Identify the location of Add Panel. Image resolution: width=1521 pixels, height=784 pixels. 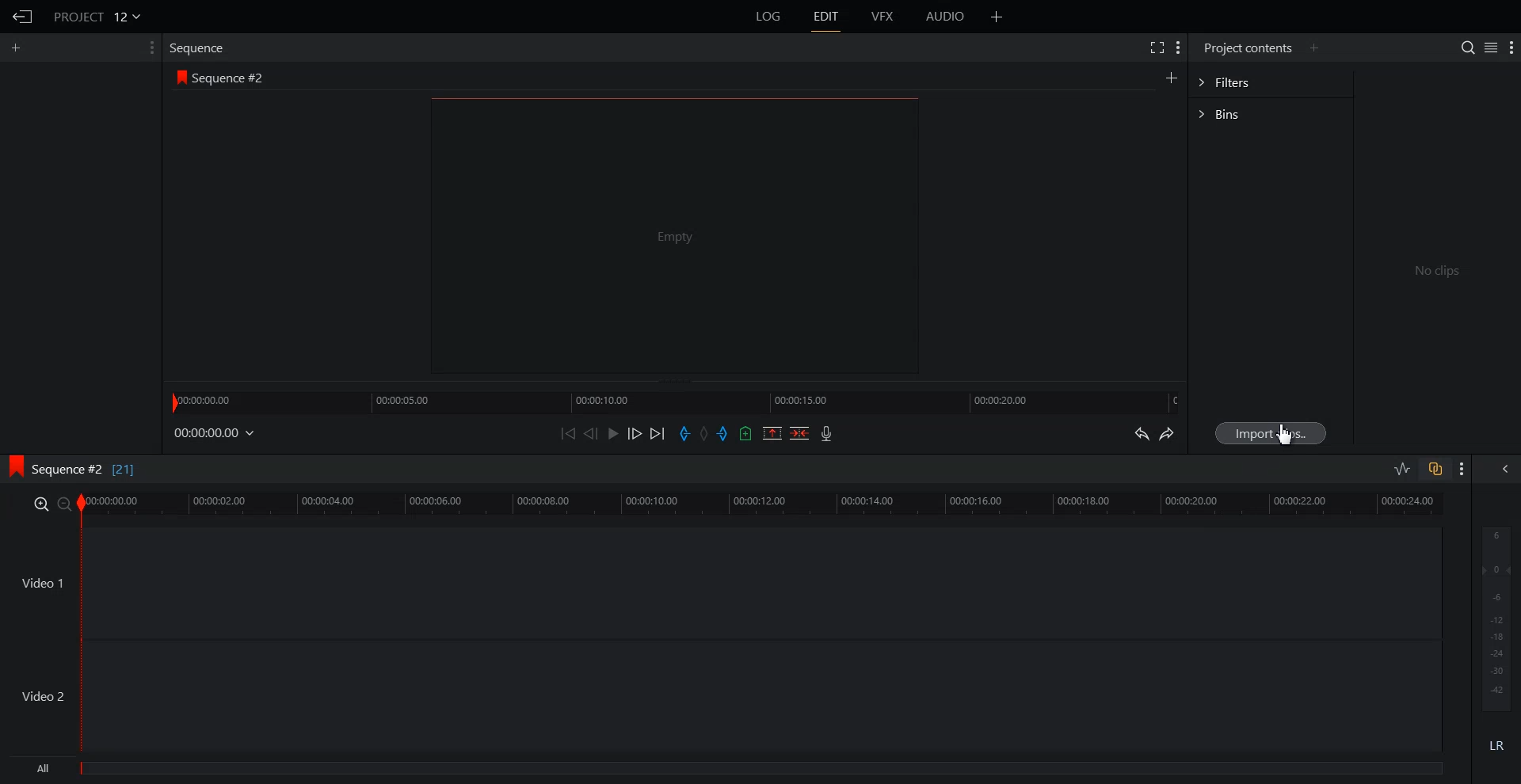
(1316, 48).